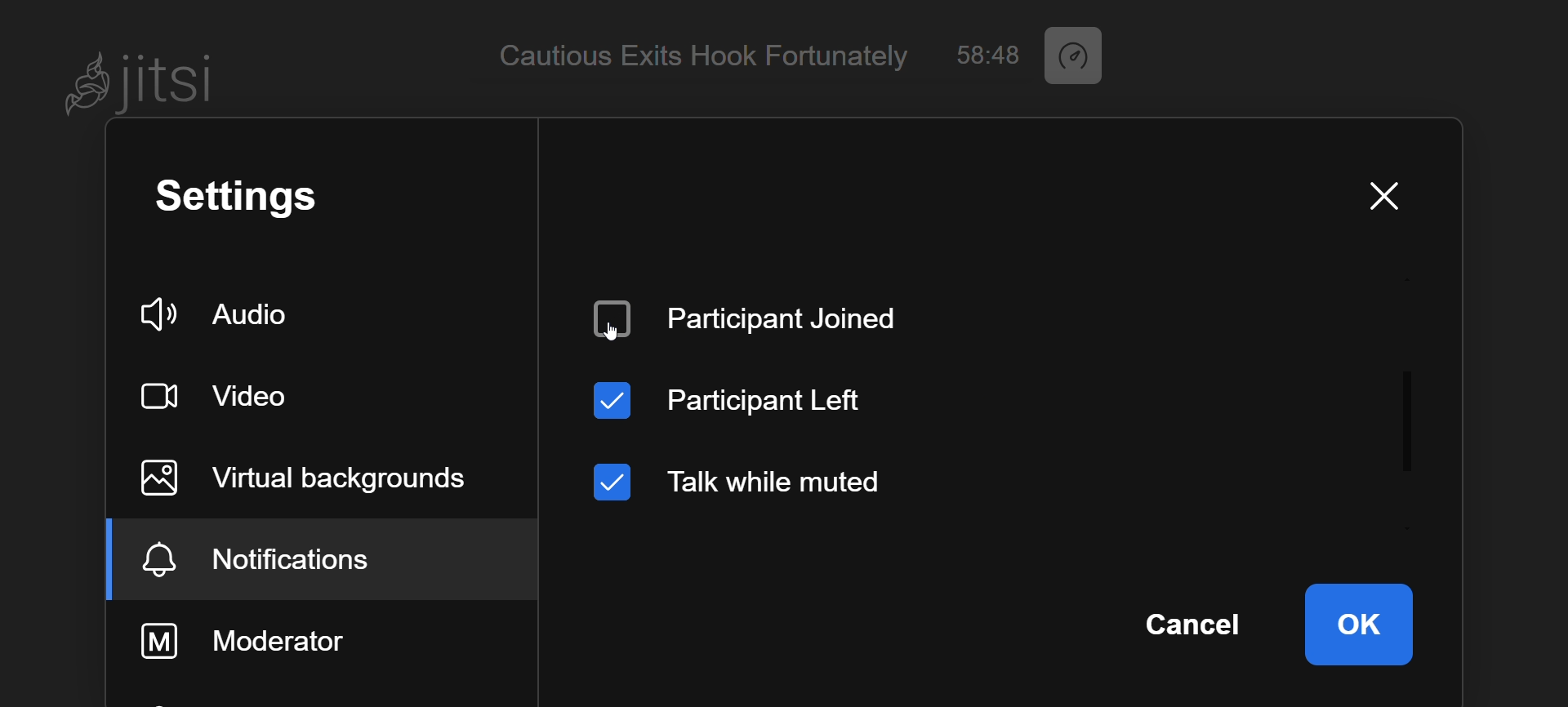 This screenshot has width=1568, height=707. I want to click on audio, so click(225, 308).